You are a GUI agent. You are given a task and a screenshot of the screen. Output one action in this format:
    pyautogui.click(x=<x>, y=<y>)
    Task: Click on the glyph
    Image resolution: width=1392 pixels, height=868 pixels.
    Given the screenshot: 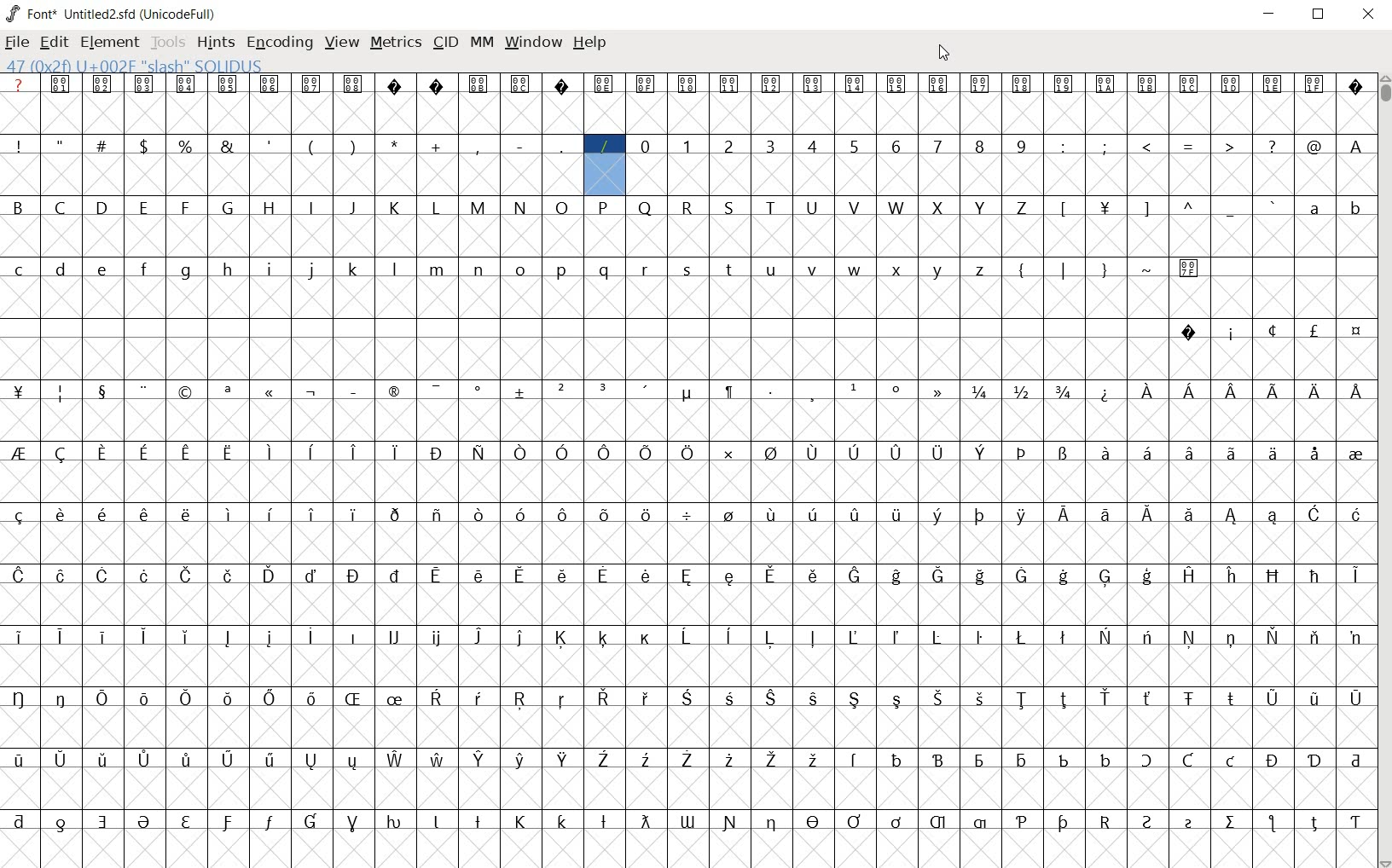 What is the action you would take?
    pyautogui.click(x=270, y=575)
    